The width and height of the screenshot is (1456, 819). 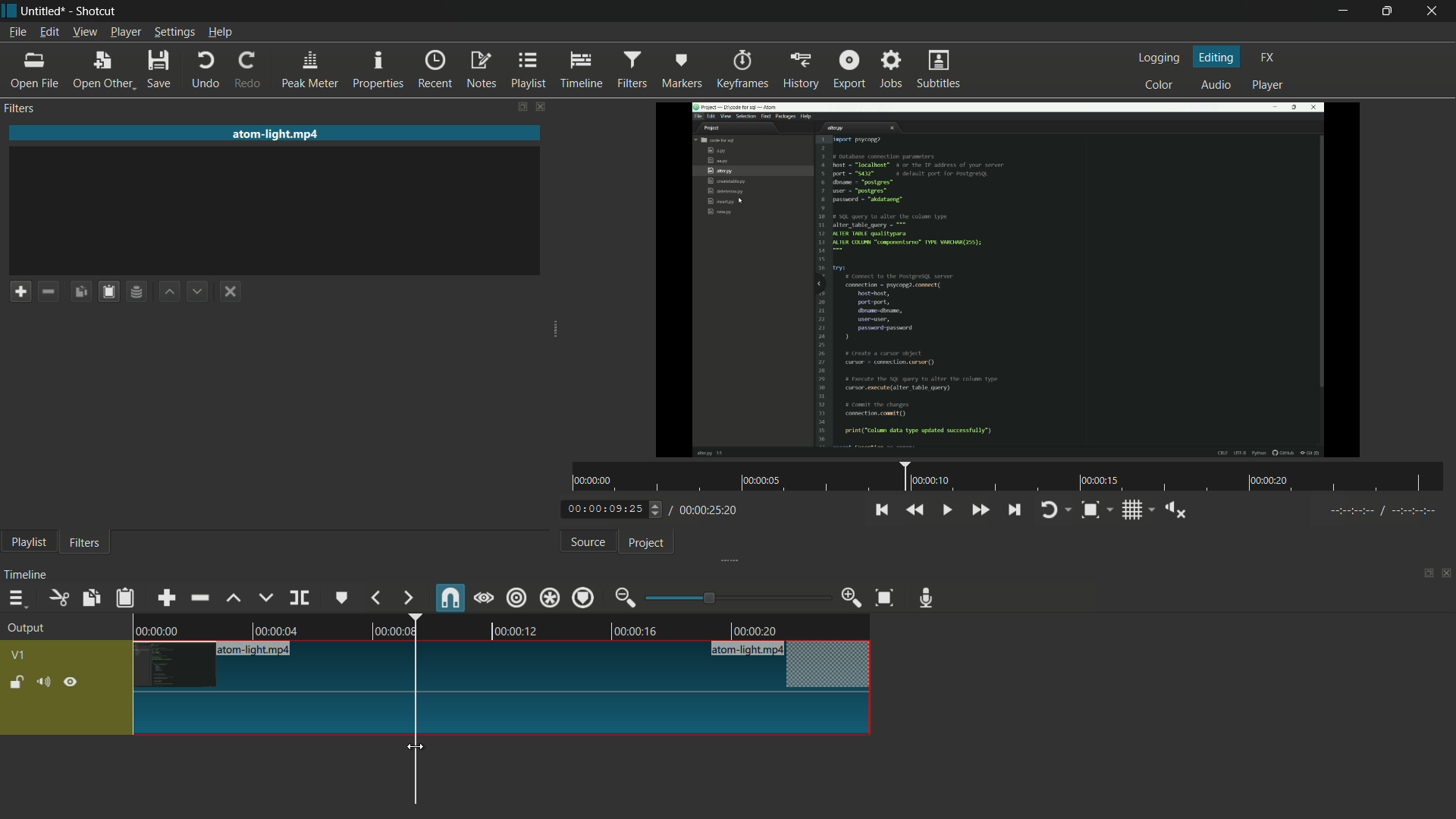 I want to click on open file, so click(x=34, y=71).